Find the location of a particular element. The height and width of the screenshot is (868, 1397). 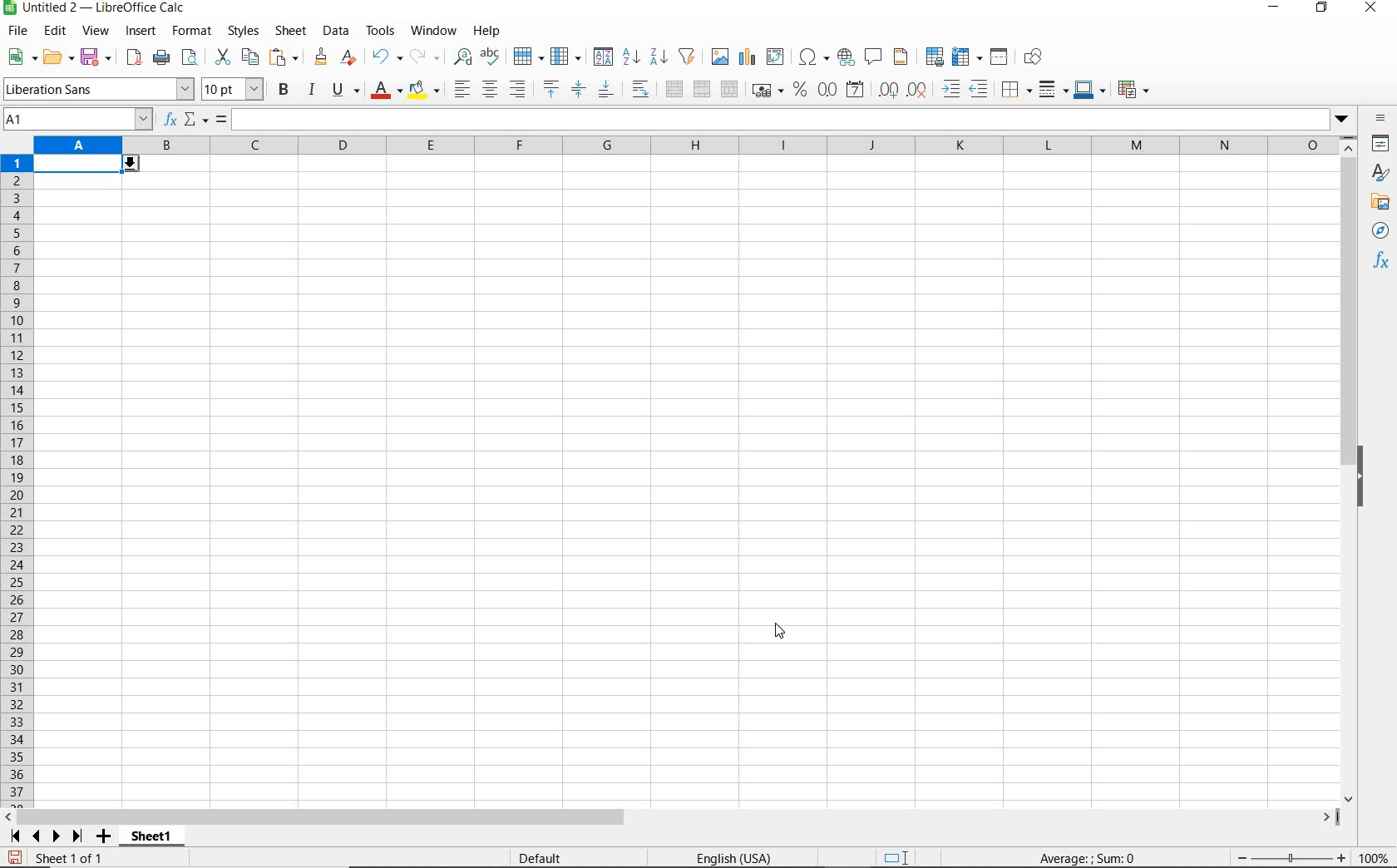

save is located at coordinates (15, 858).